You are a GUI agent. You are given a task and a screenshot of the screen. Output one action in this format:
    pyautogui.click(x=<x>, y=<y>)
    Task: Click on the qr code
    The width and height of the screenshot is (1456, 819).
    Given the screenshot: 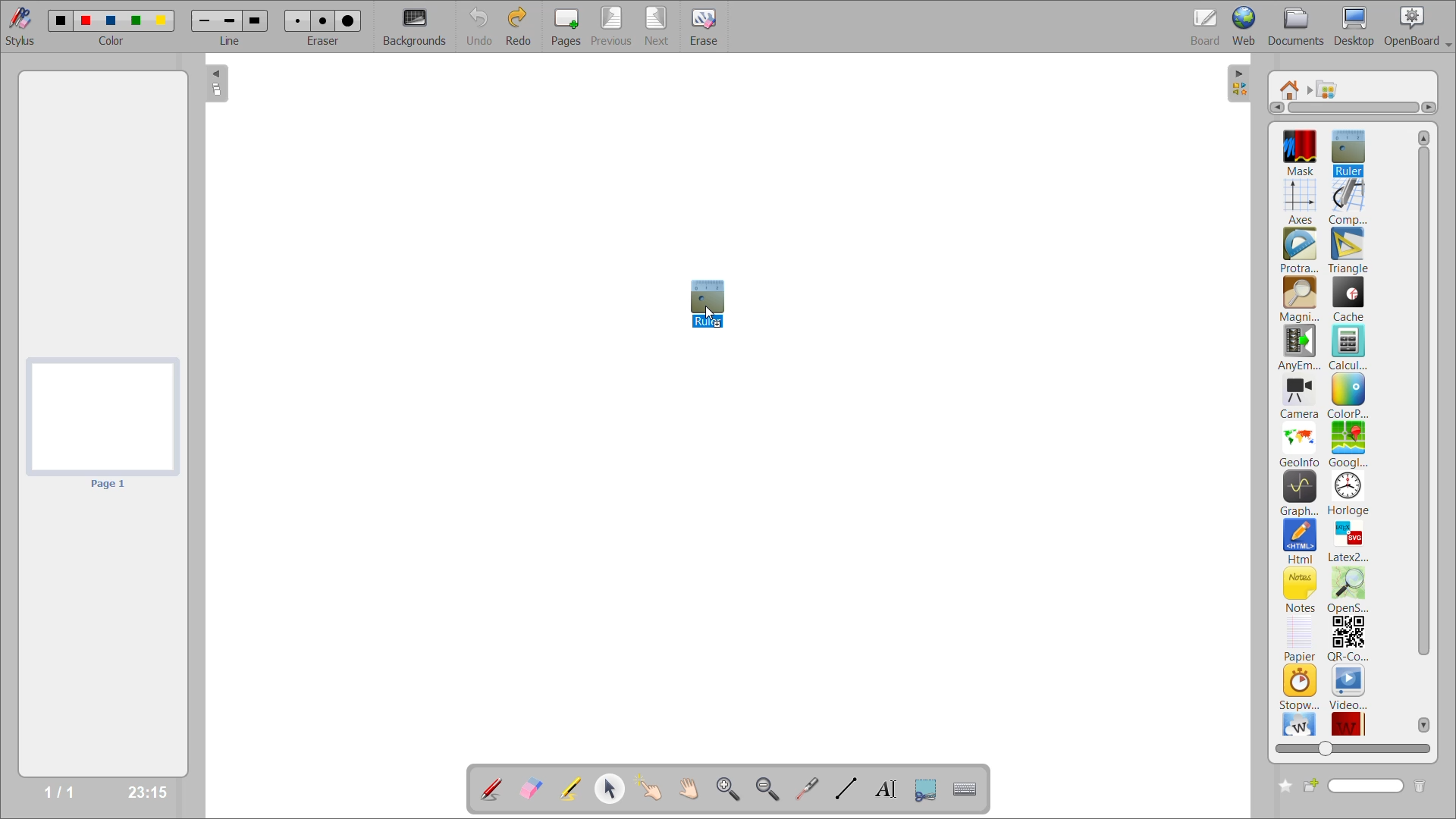 What is the action you would take?
    pyautogui.click(x=1348, y=639)
    